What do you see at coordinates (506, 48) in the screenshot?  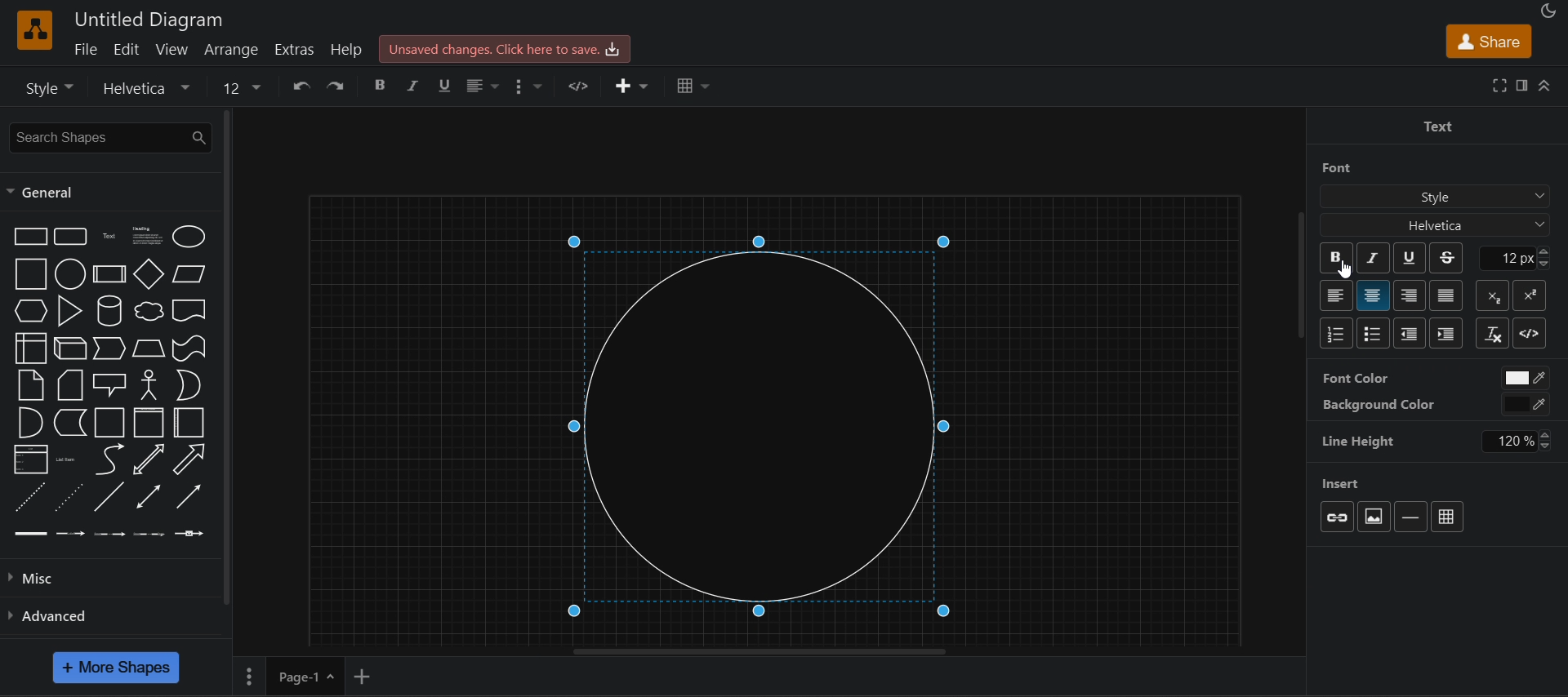 I see `unsaved changes. click here to save` at bounding box center [506, 48].